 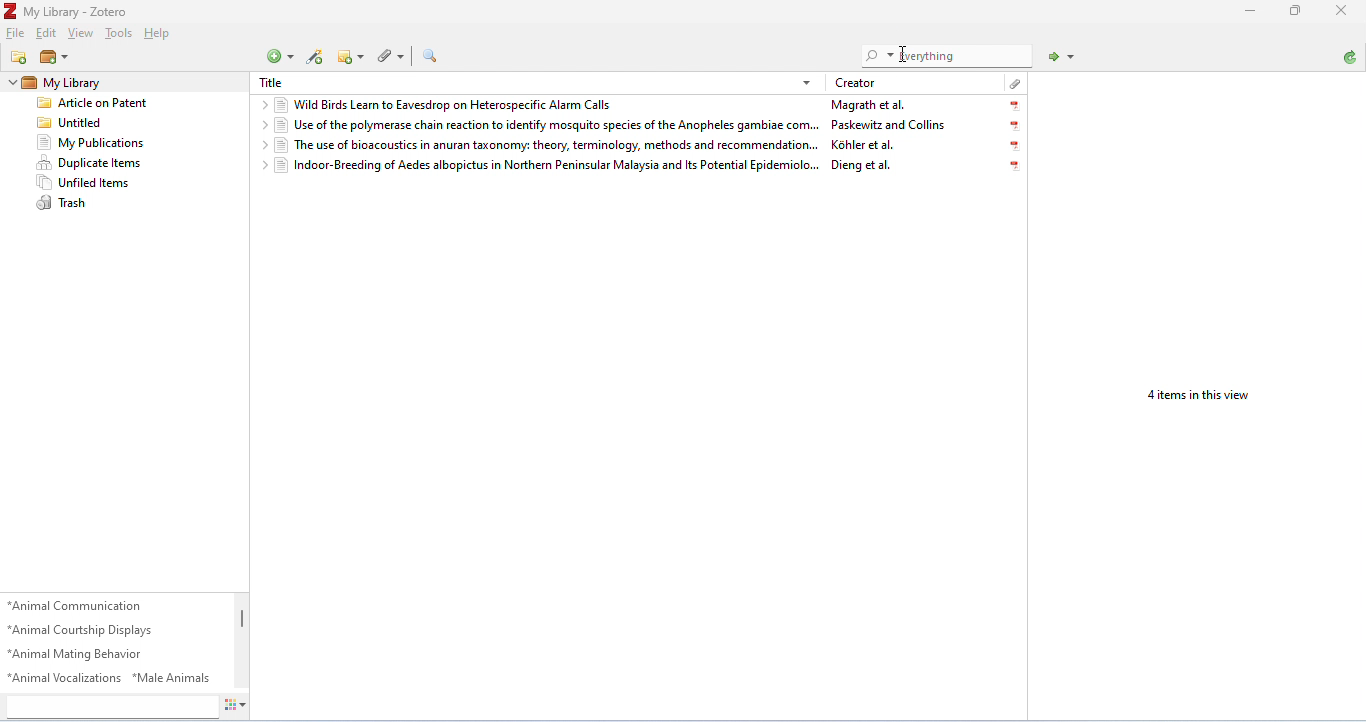 I want to click on New Collection..., so click(x=20, y=58).